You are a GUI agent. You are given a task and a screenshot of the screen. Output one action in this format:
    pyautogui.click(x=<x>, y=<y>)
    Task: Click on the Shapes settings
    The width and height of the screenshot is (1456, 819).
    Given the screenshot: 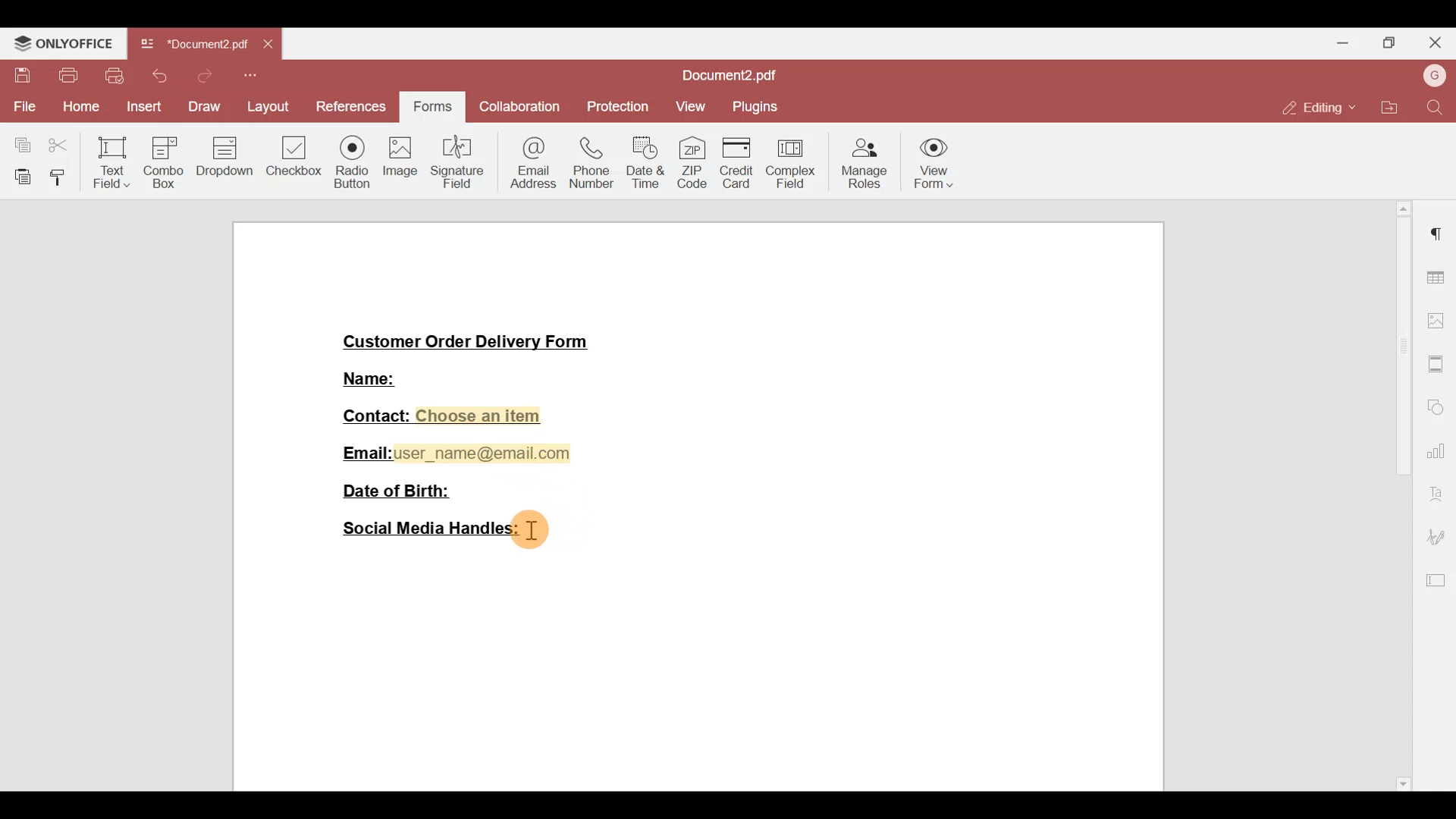 What is the action you would take?
    pyautogui.click(x=1441, y=407)
    